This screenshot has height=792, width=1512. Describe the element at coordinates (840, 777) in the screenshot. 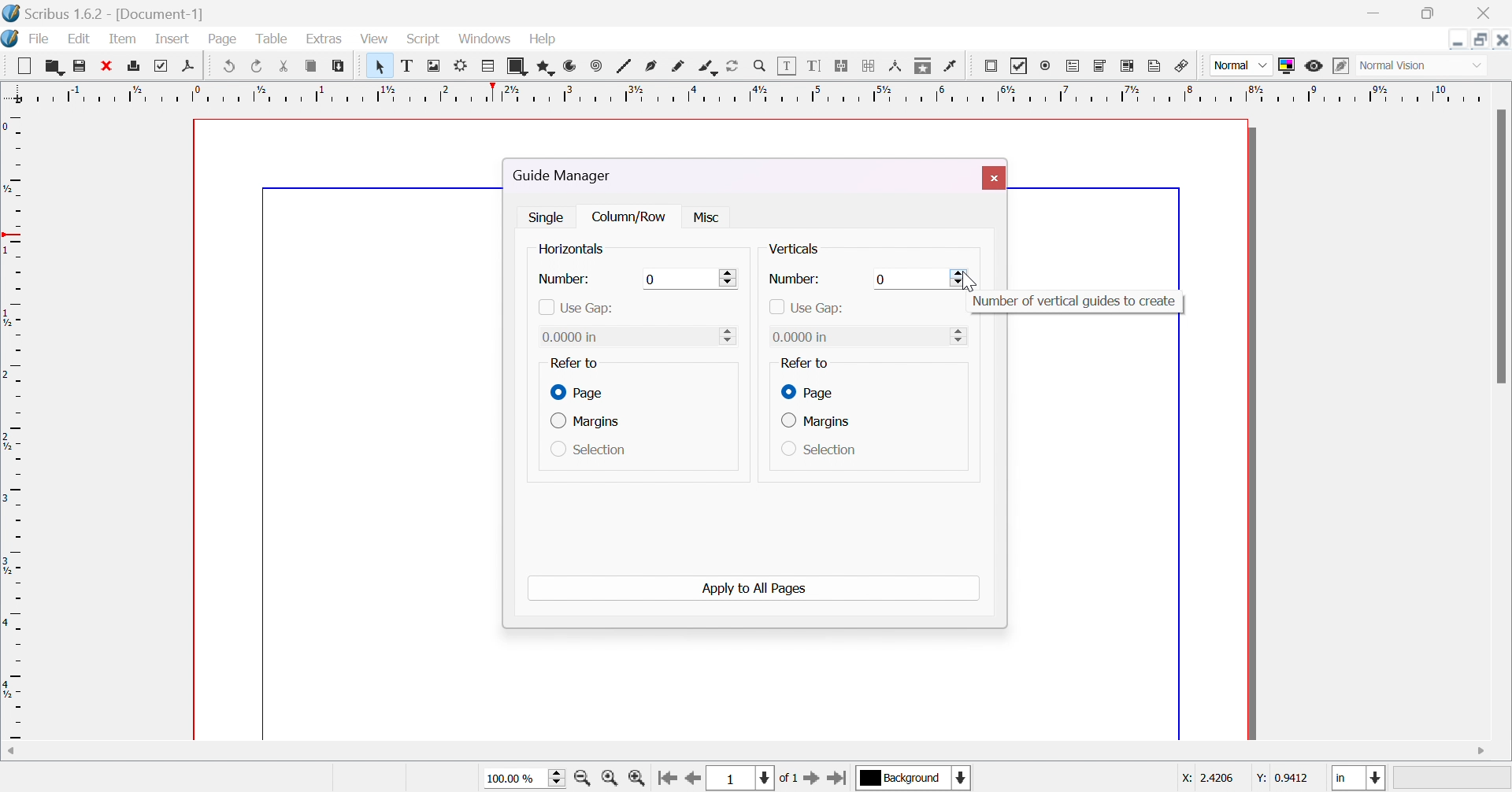

I see `go to last page` at that location.